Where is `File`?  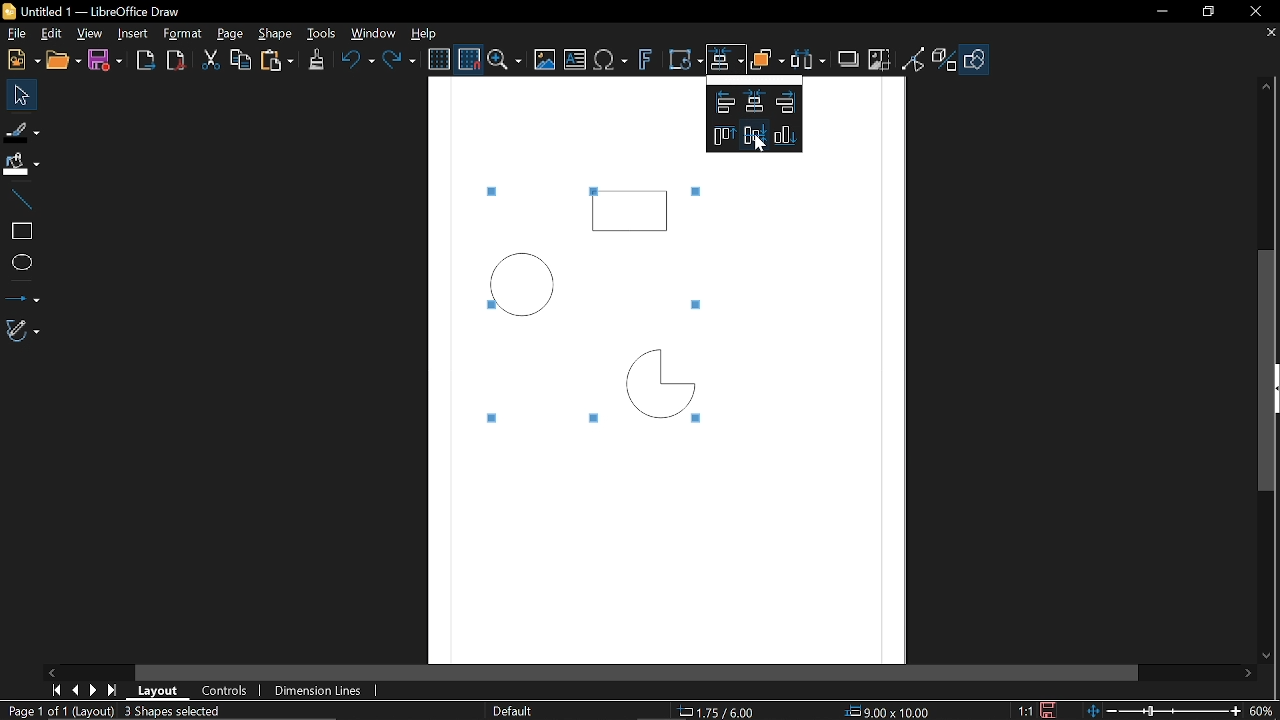
File is located at coordinates (17, 36).